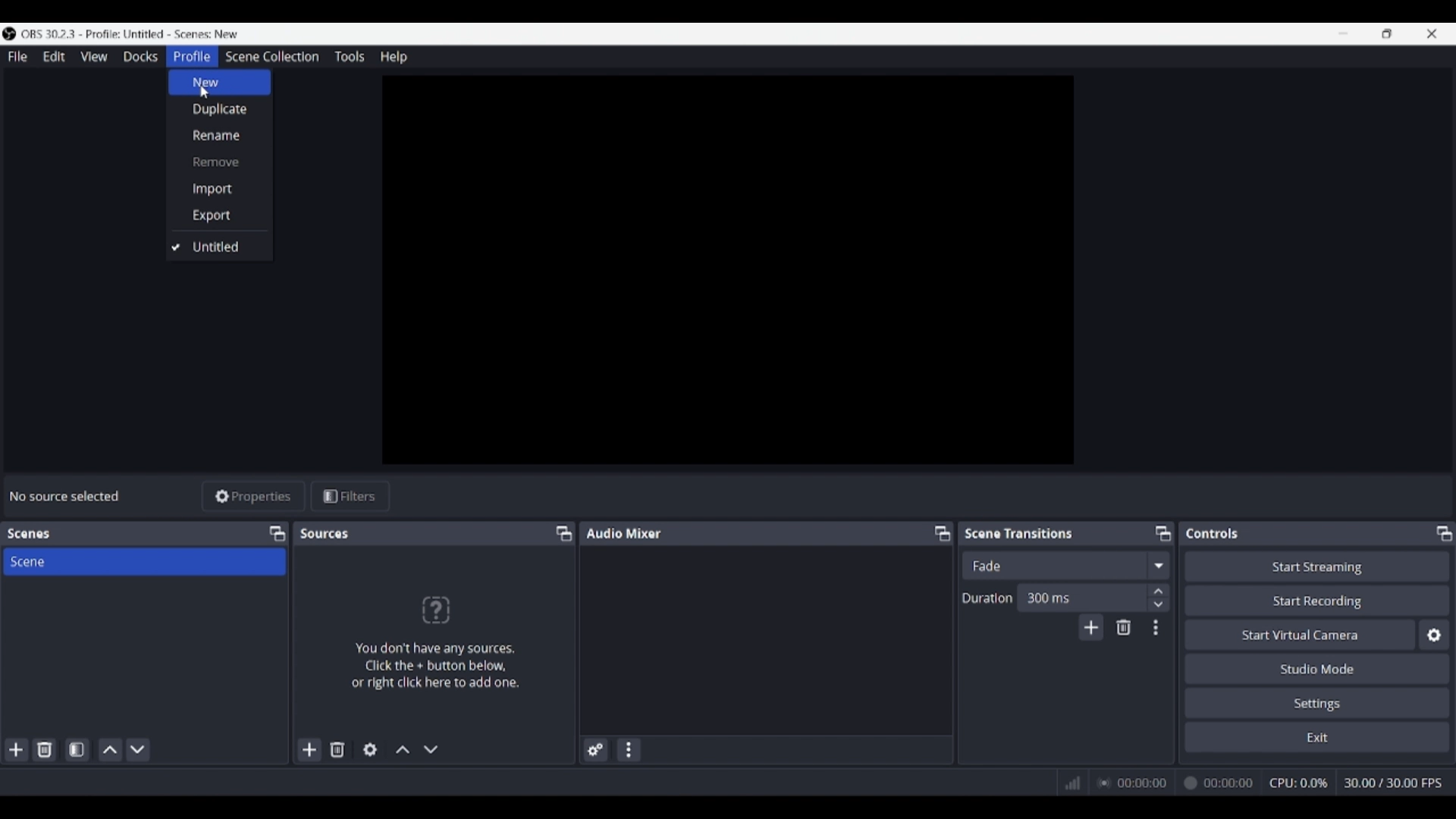  I want to click on Source status, so click(67, 496).